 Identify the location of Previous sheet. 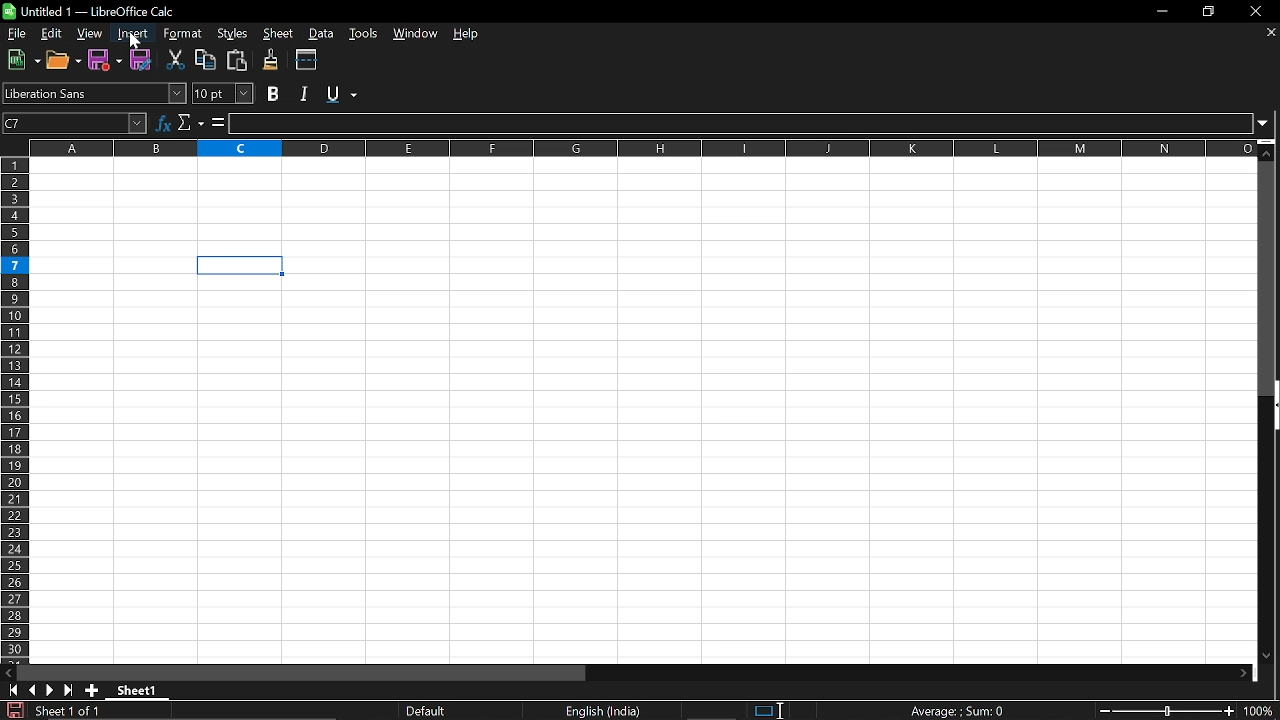
(31, 690).